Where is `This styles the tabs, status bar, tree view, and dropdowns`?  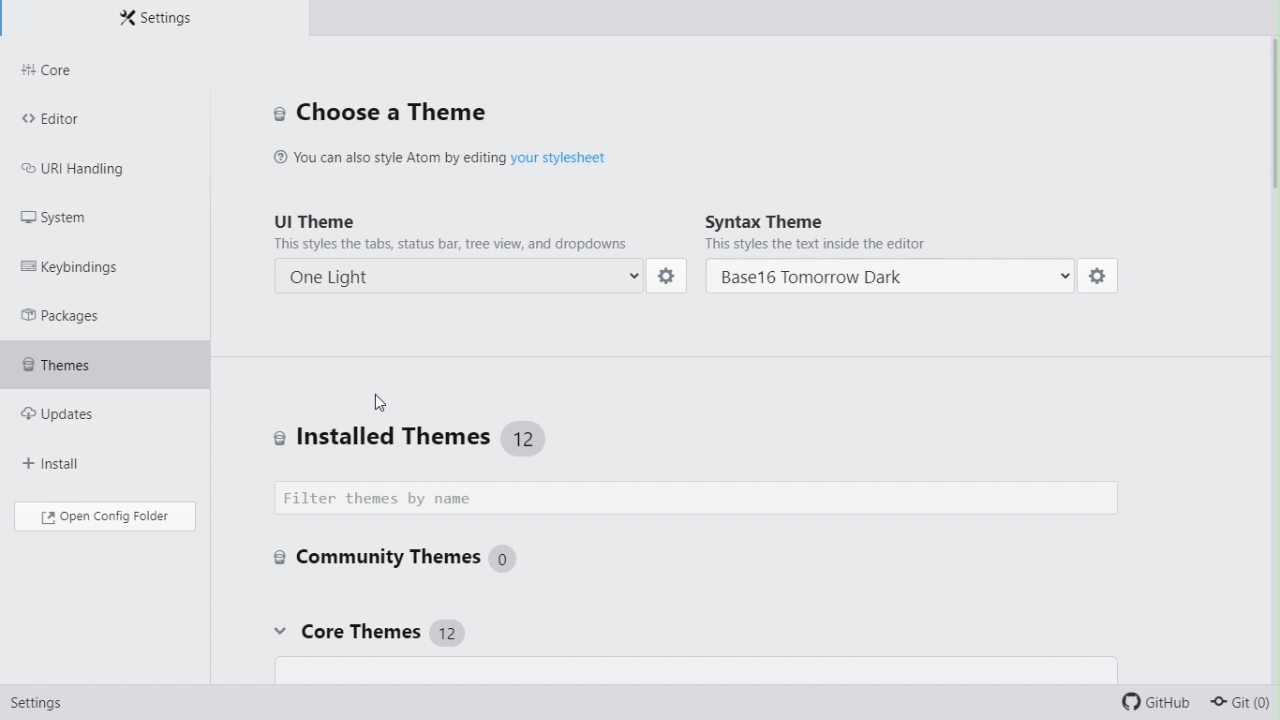 This styles the tabs, status bar, tree view, and dropdowns is located at coordinates (457, 243).